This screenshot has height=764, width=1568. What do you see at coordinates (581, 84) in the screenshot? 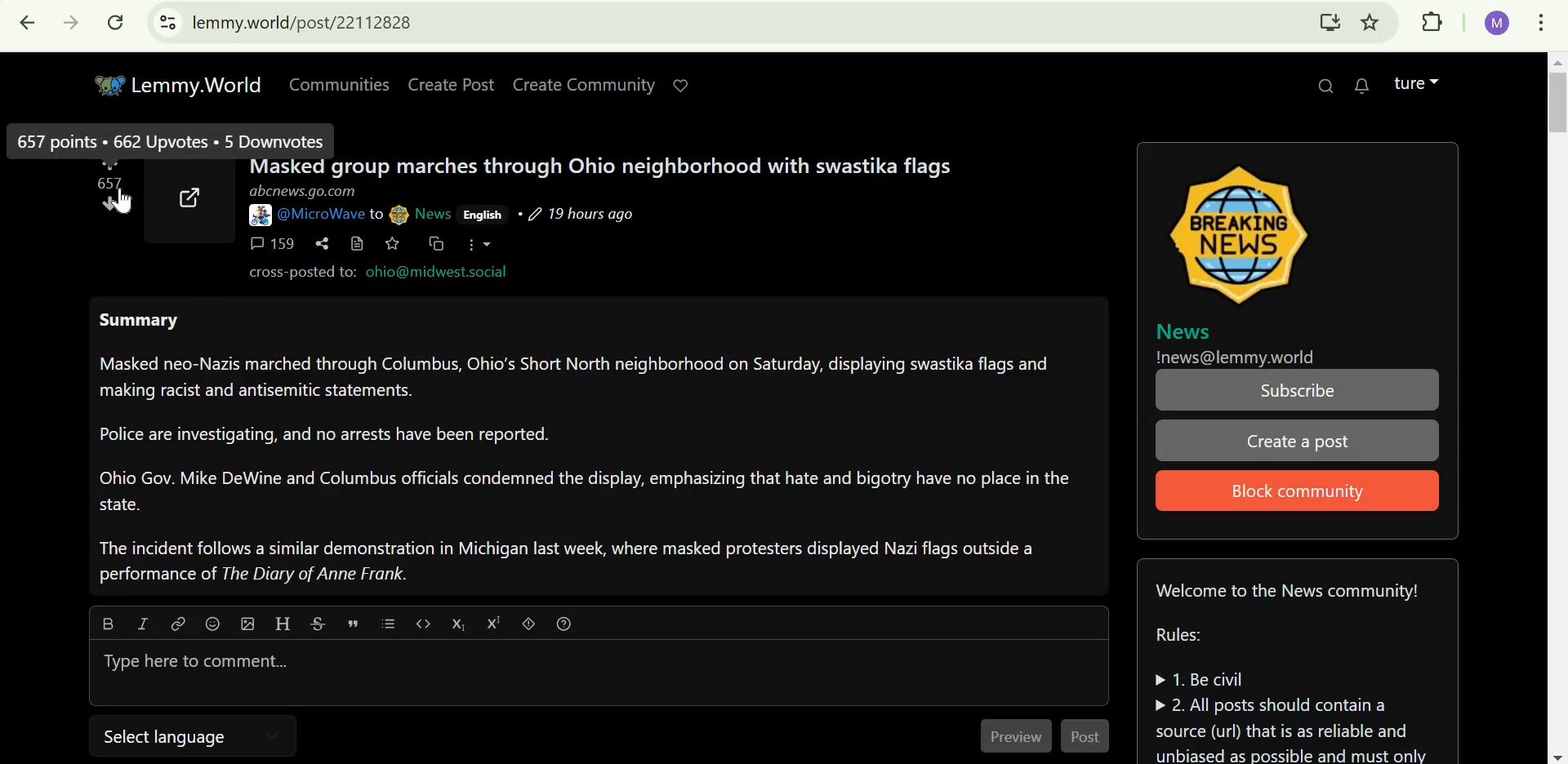
I see `create community` at bounding box center [581, 84].